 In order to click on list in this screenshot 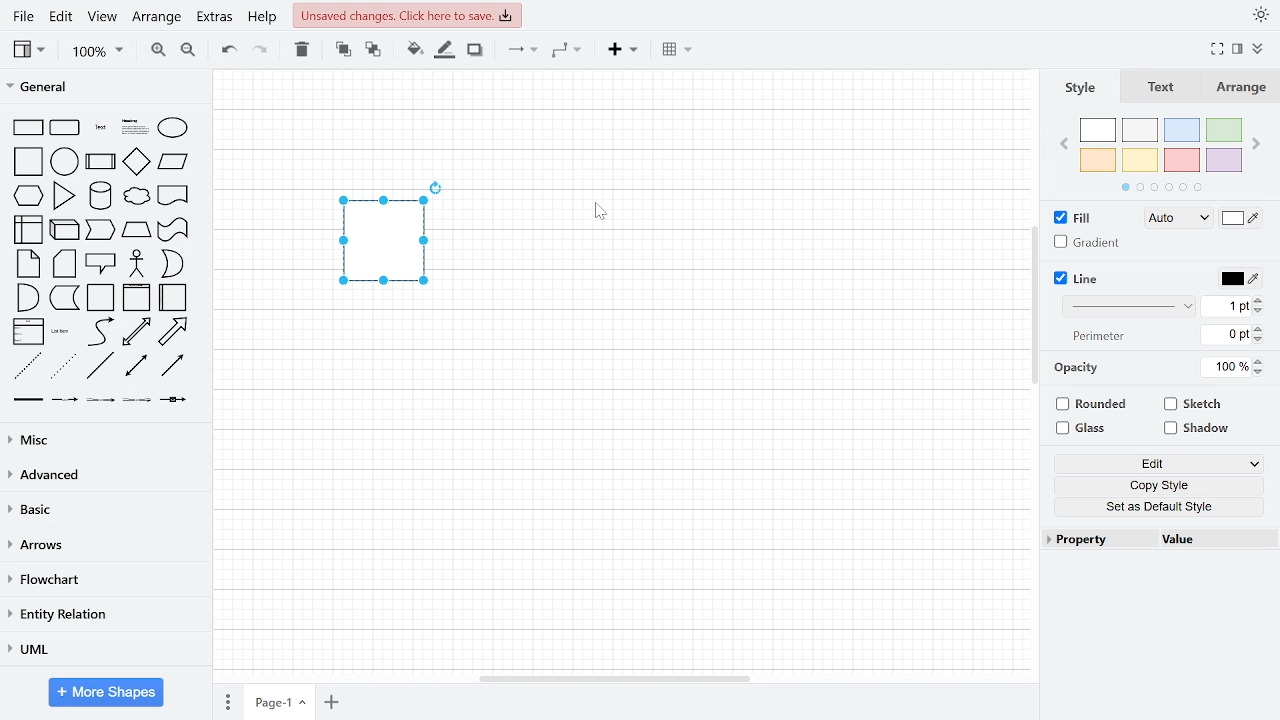, I will do `click(27, 332)`.